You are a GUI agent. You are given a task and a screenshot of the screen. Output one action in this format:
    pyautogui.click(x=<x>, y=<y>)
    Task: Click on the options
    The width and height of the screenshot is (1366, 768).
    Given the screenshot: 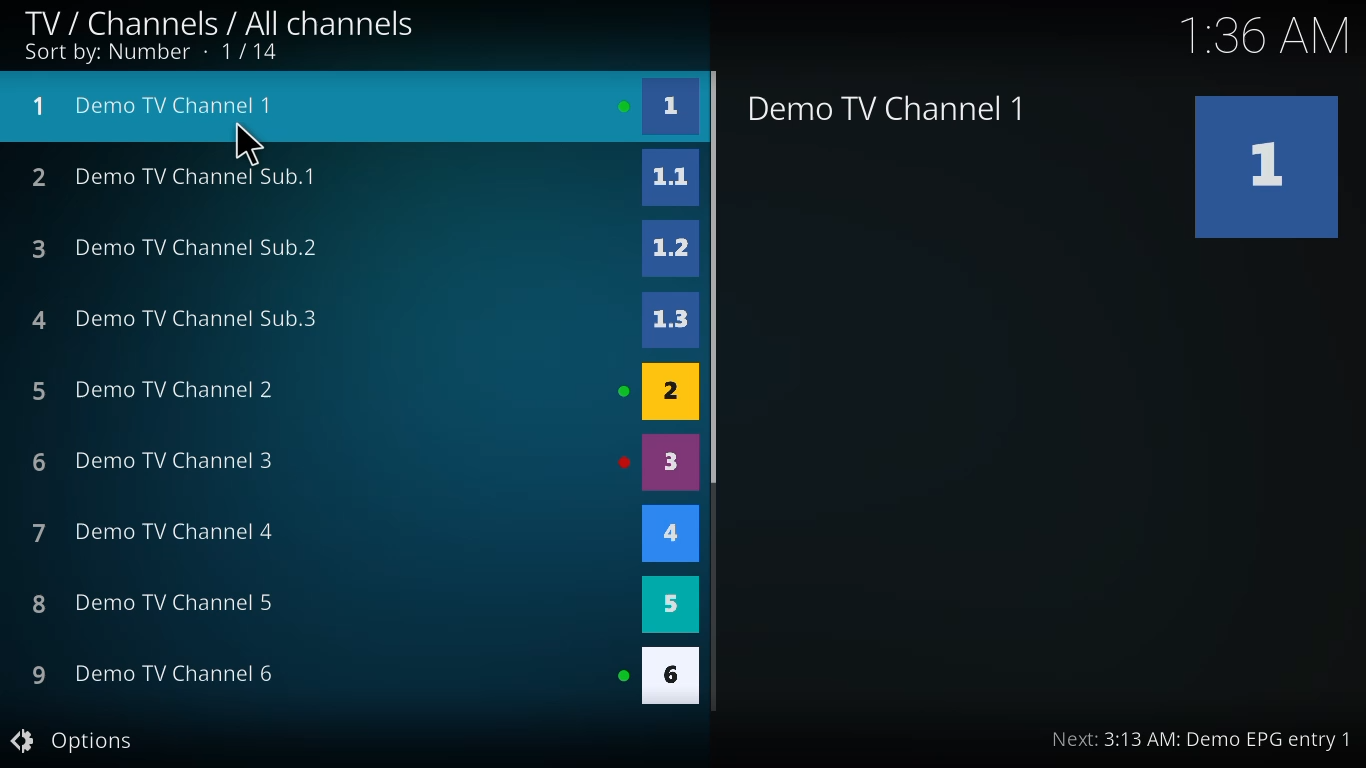 What is the action you would take?
    pyautogui.click(x=75, y=740)
    